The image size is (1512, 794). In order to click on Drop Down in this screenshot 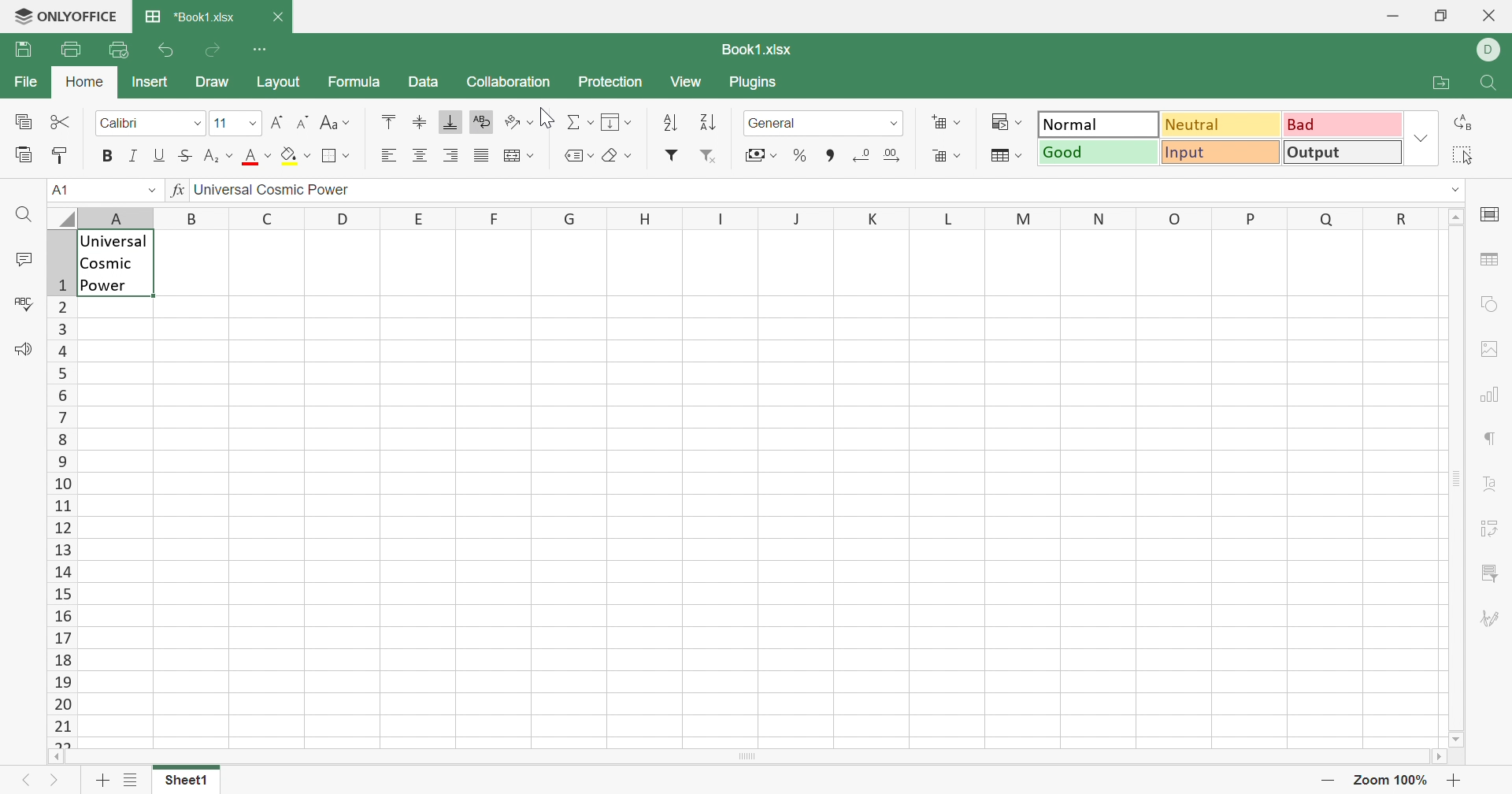, I will do `click(1421, 139)`.